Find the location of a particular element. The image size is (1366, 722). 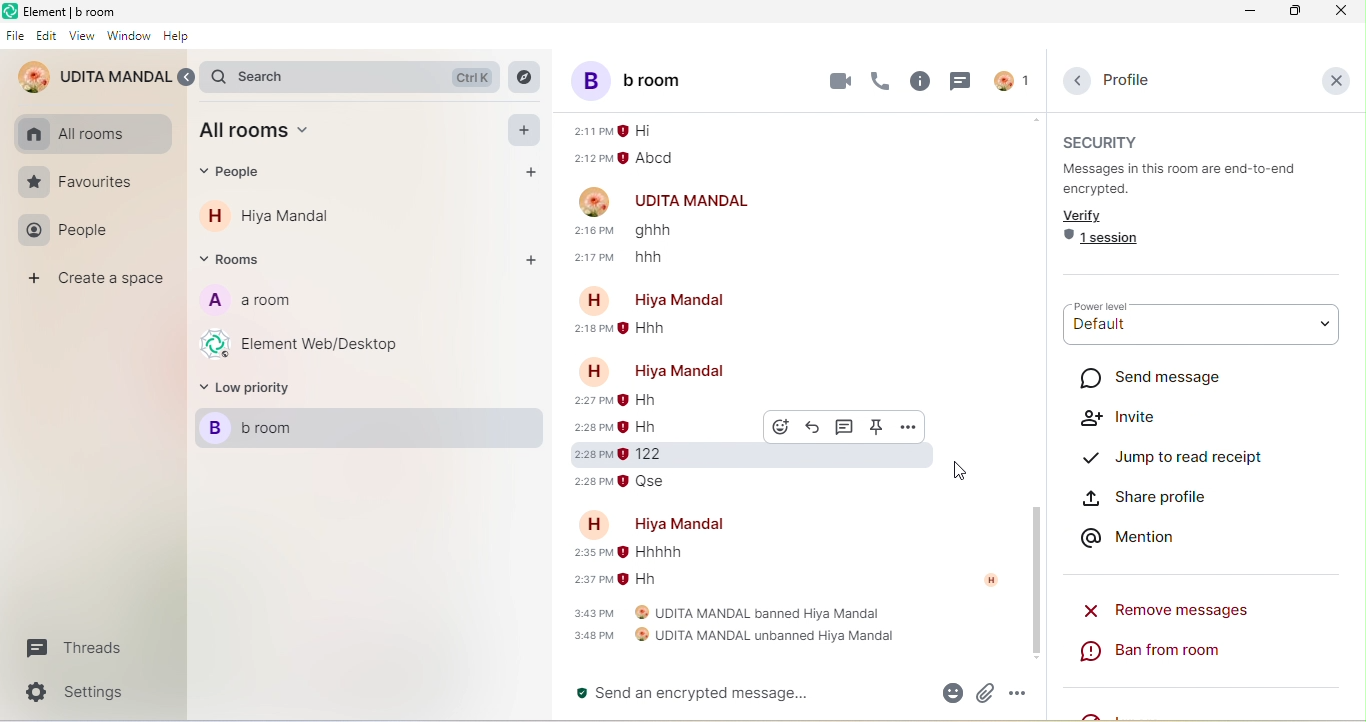

view is located at coordinates (84, 35).